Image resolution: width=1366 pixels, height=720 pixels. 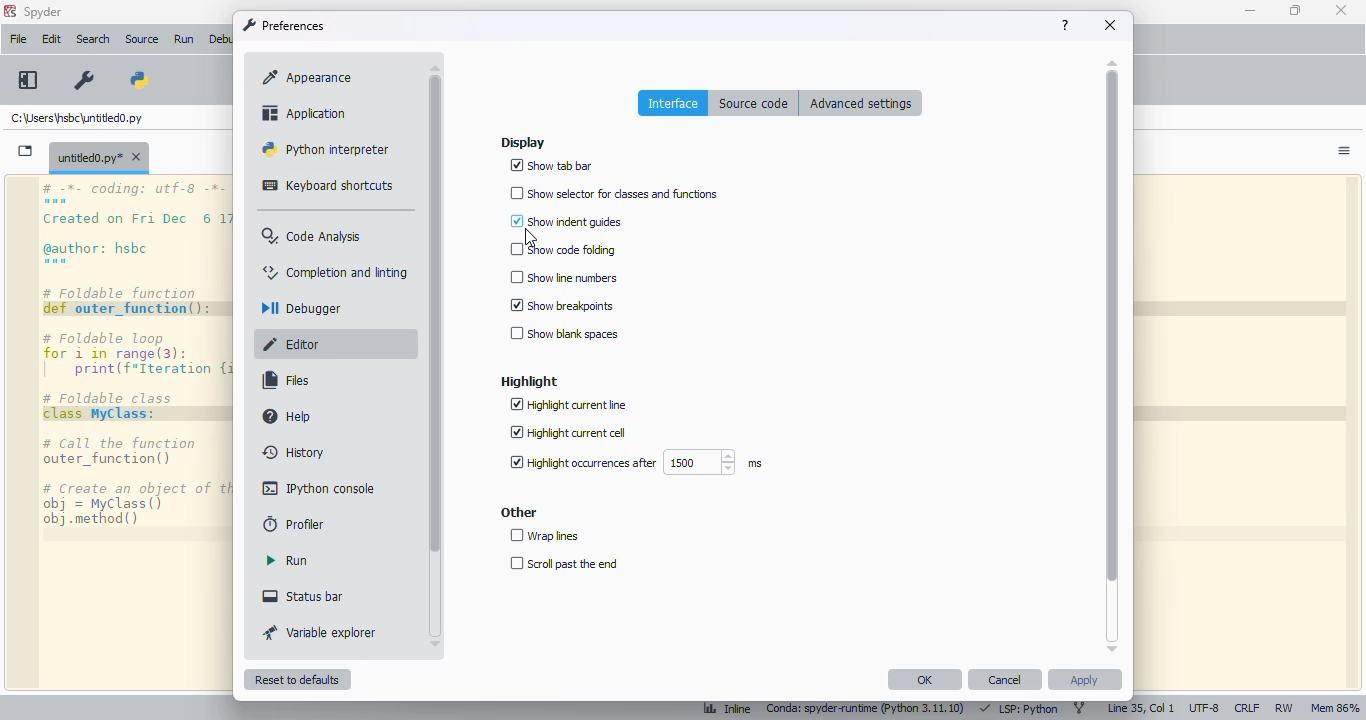 What do you see at coordinates (1080, 708) in the screenshot?
I see `git branches` at bounding box center [1080, 708].